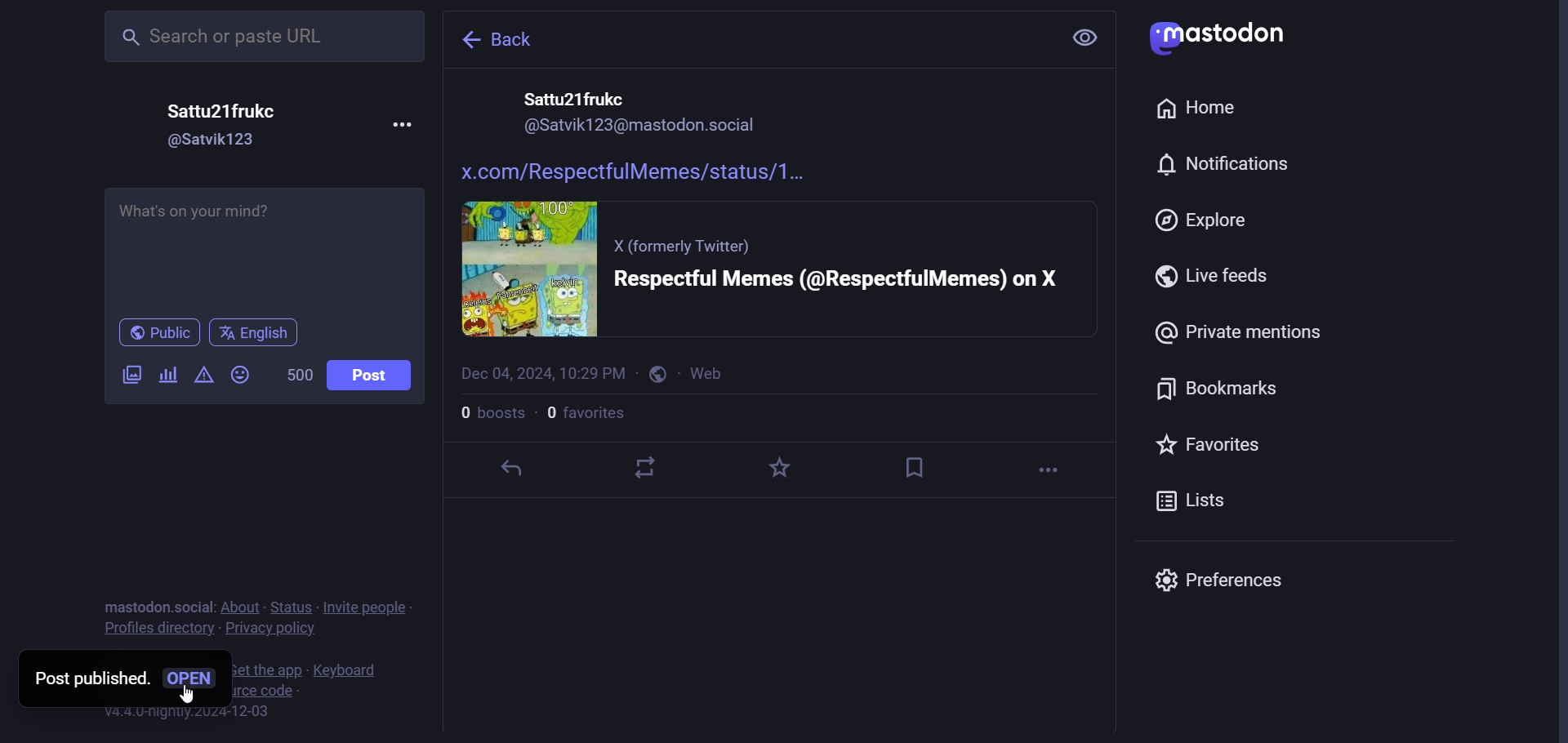 The width and height of the screenshot is (1568, 743). I want to click on web, so click(712, 372).